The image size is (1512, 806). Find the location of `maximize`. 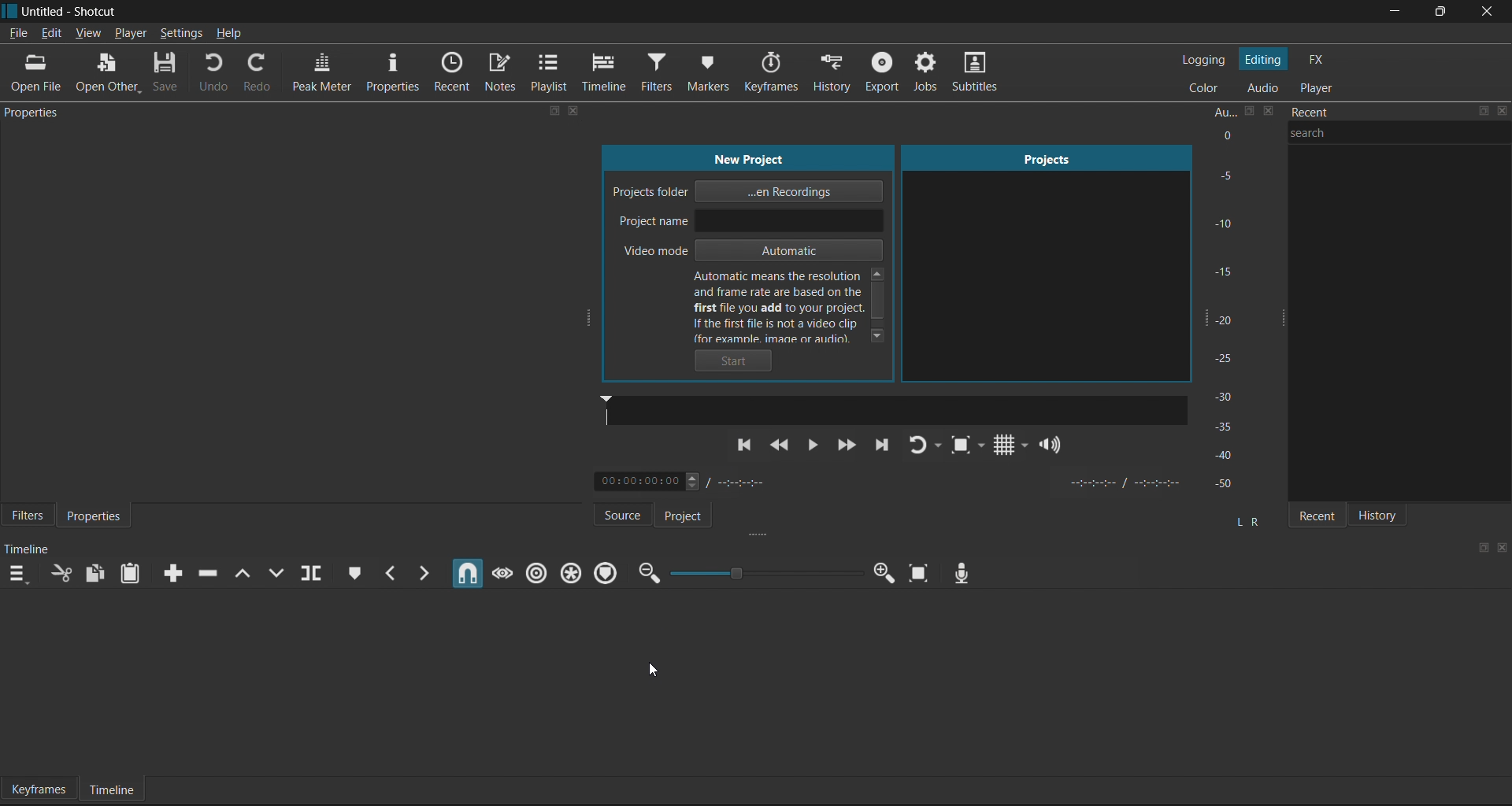

maximize is located at coordinates (1484, 113).